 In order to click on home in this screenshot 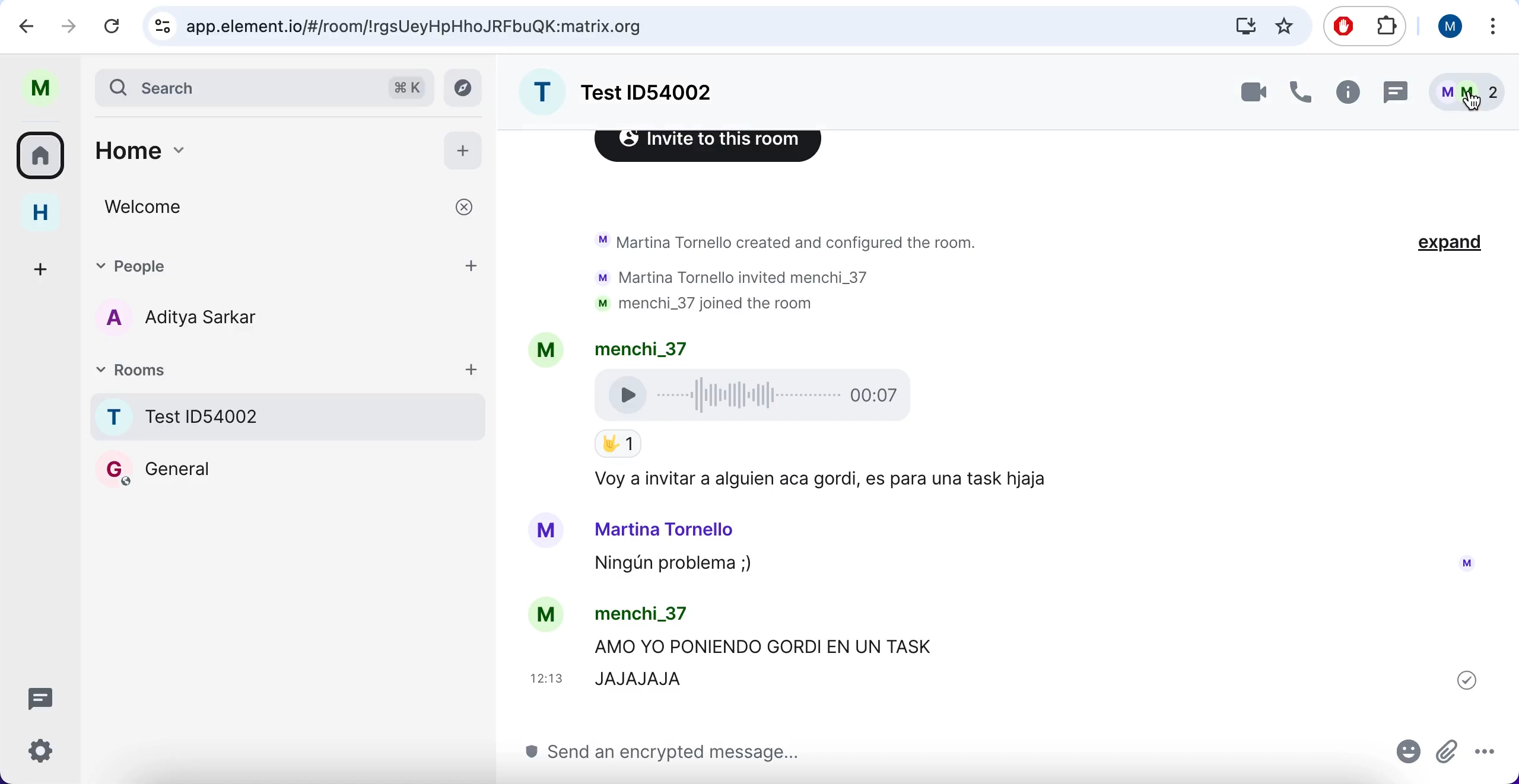, I will do `click(253, 151)`.